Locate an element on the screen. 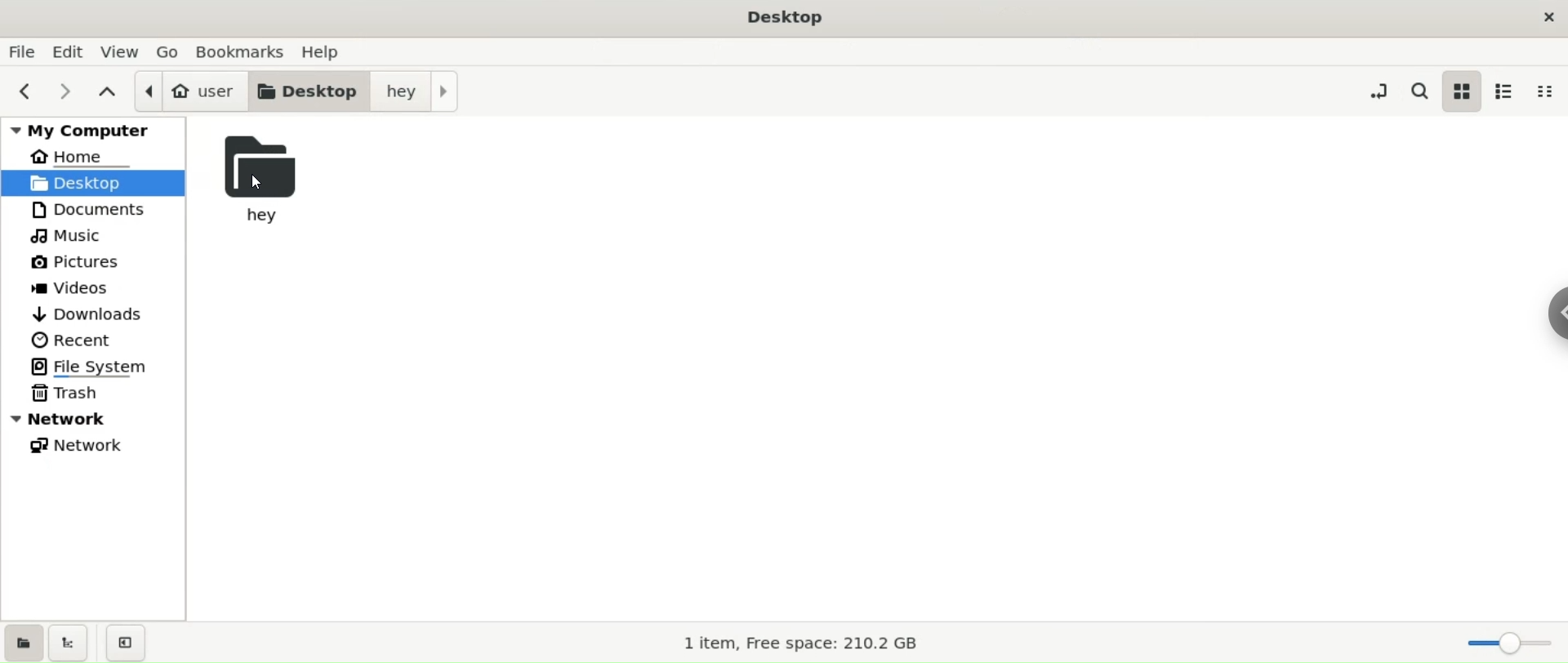 The width and height of the screenshot is (1568, 663). show treeview is located at coordinates (73, 642).